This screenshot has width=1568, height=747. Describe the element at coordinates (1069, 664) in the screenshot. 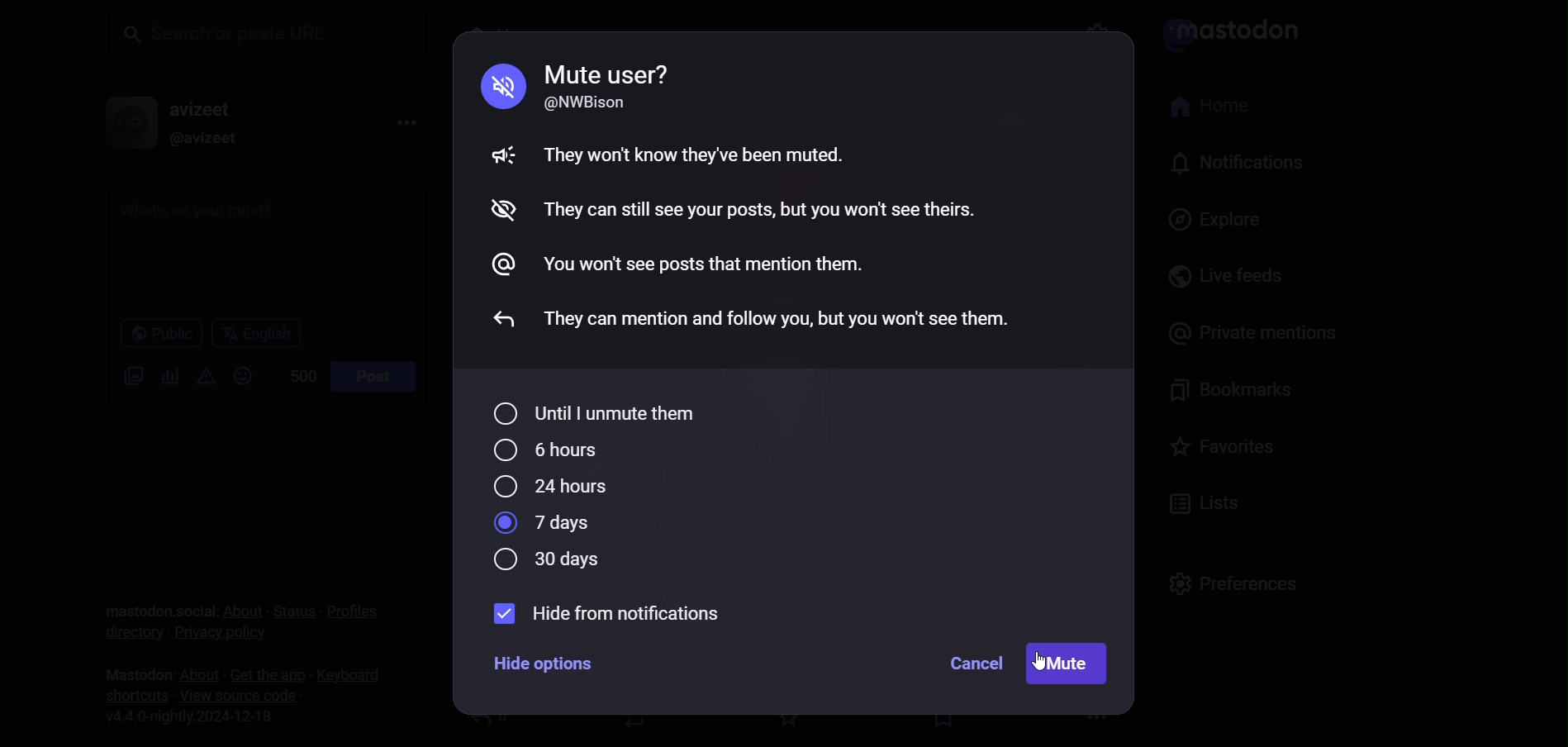

I see `mute` at that location.